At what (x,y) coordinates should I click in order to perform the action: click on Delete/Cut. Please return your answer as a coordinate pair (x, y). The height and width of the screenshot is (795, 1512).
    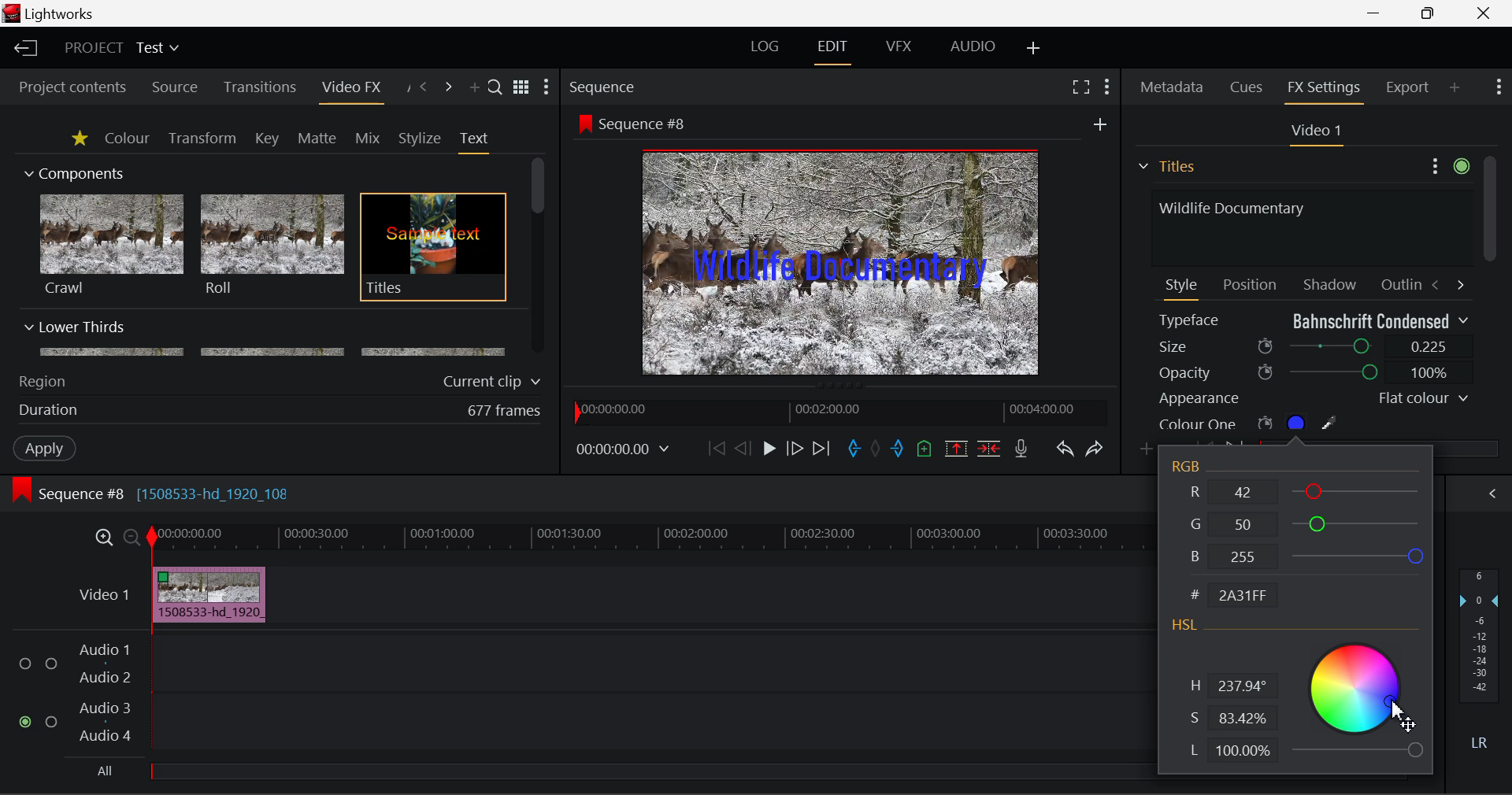
    Looking at the image, I should click on (991, 448).